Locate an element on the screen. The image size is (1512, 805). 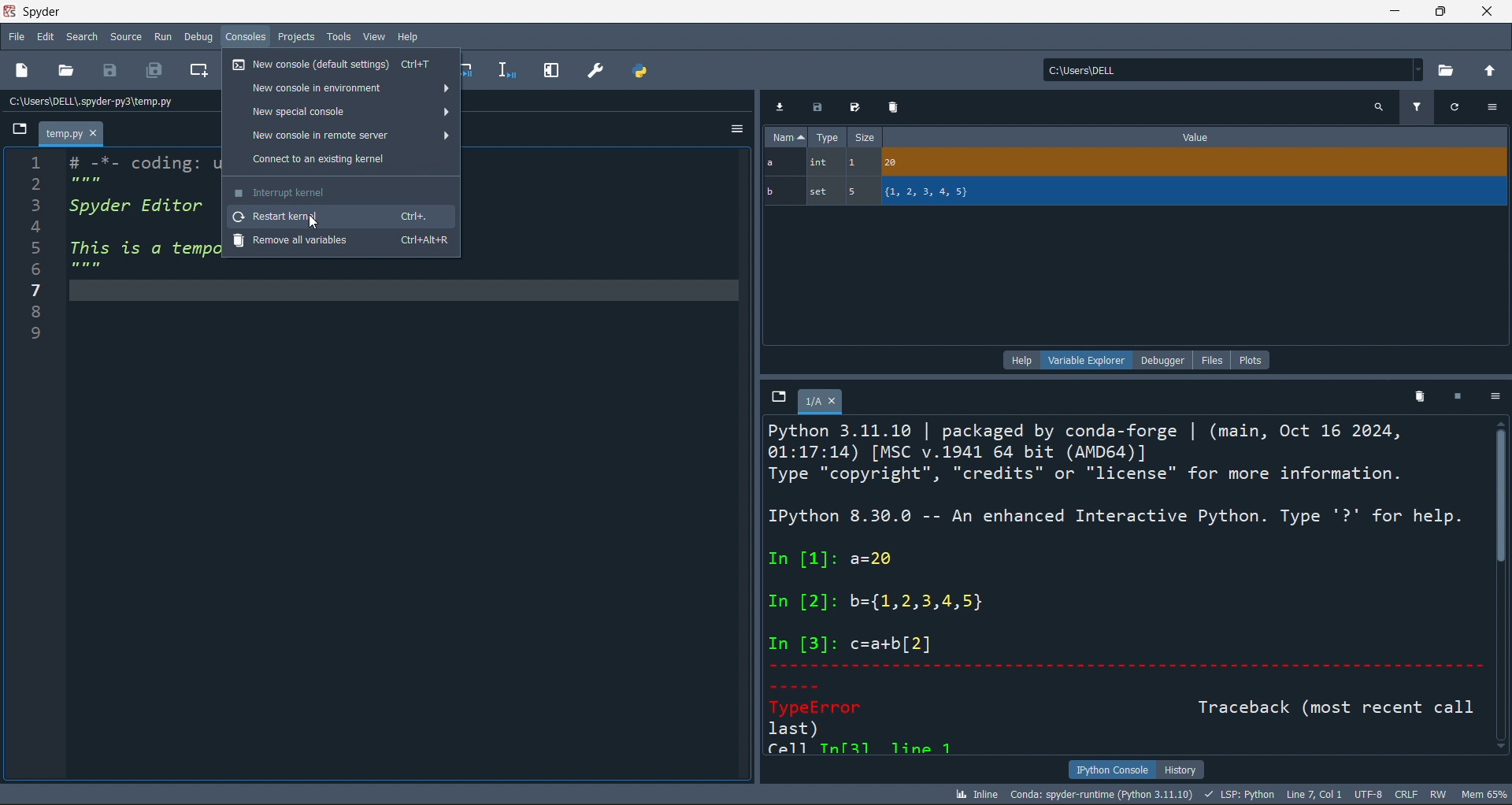
LSP: PYTHON is located at coordinates (1240, 793).